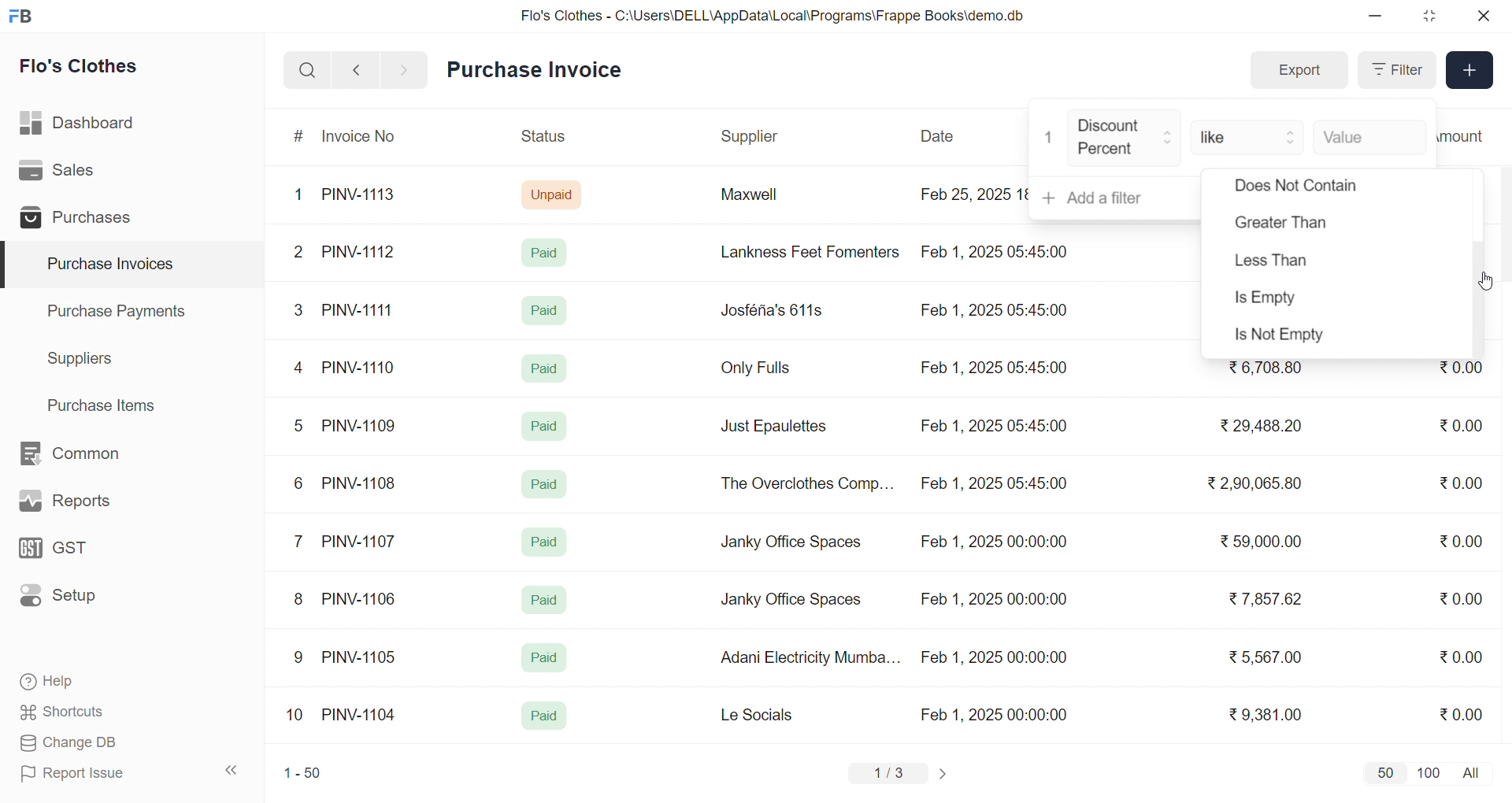 Image resolution: width=1512 pixels, height=803 pixels. I want to click on Export, so click(1299, 71).